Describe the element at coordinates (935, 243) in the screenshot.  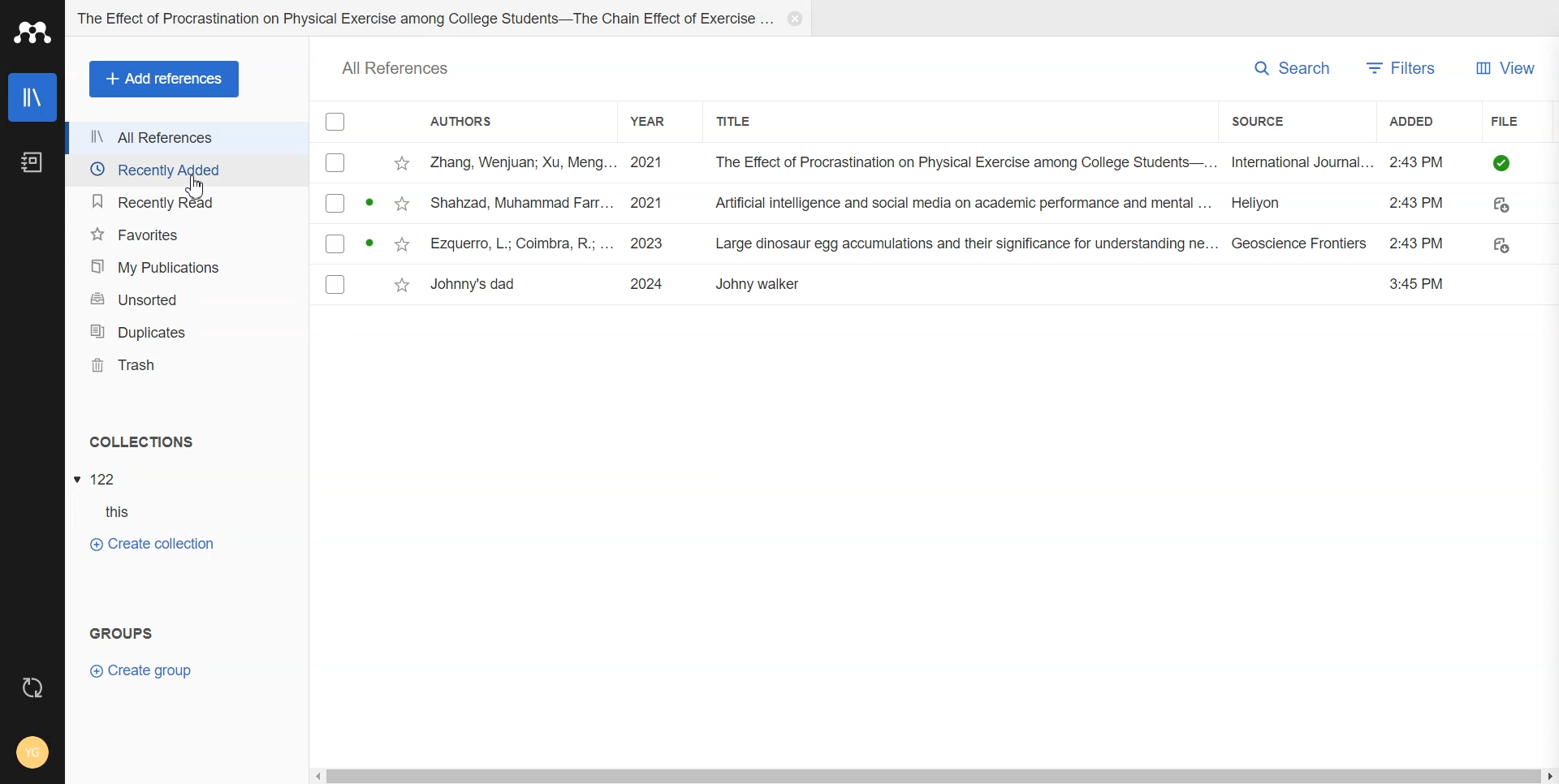
I see `File` at that location.